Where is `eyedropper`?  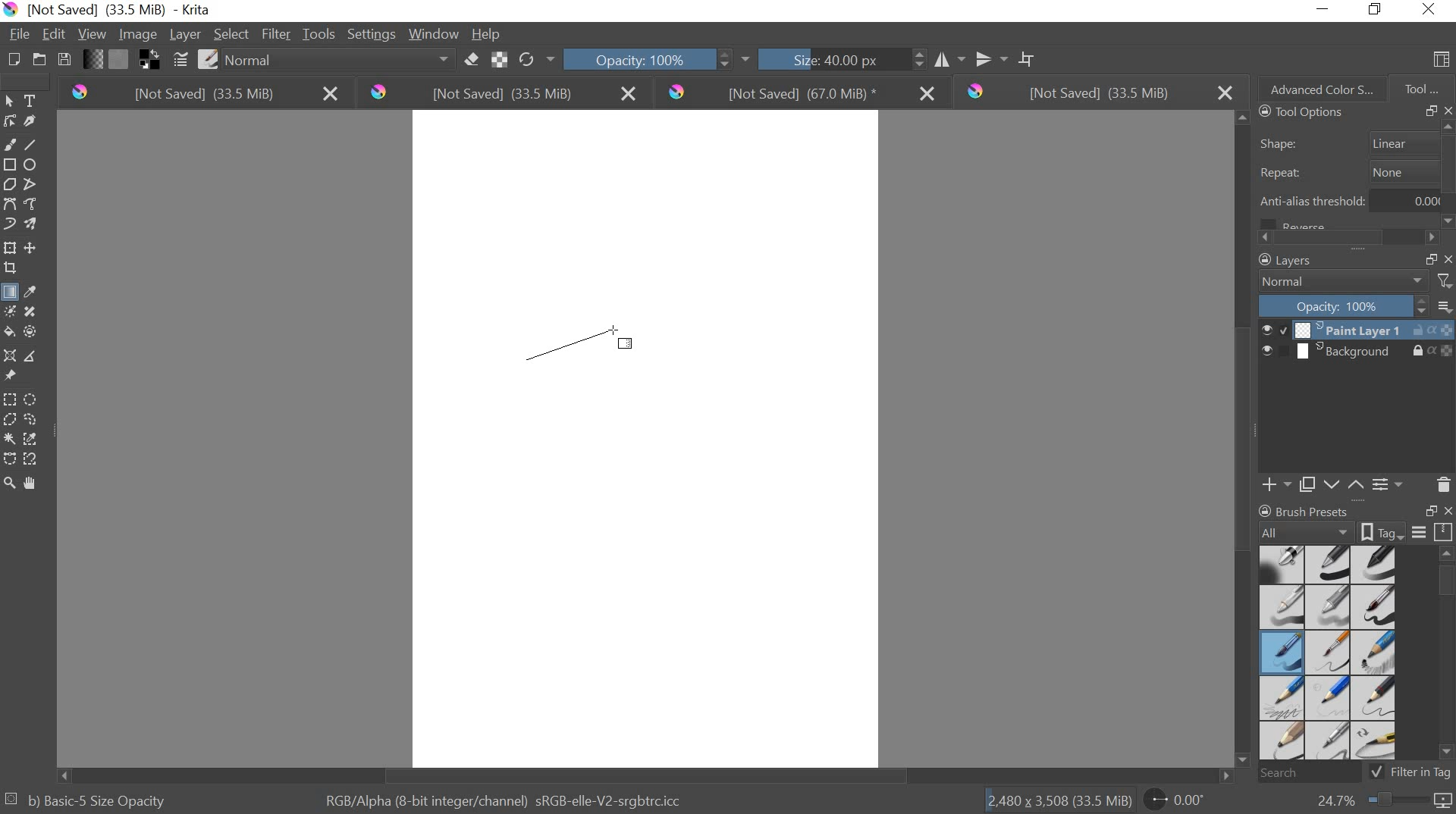 eyedropper is located at coordinates (33, 291).